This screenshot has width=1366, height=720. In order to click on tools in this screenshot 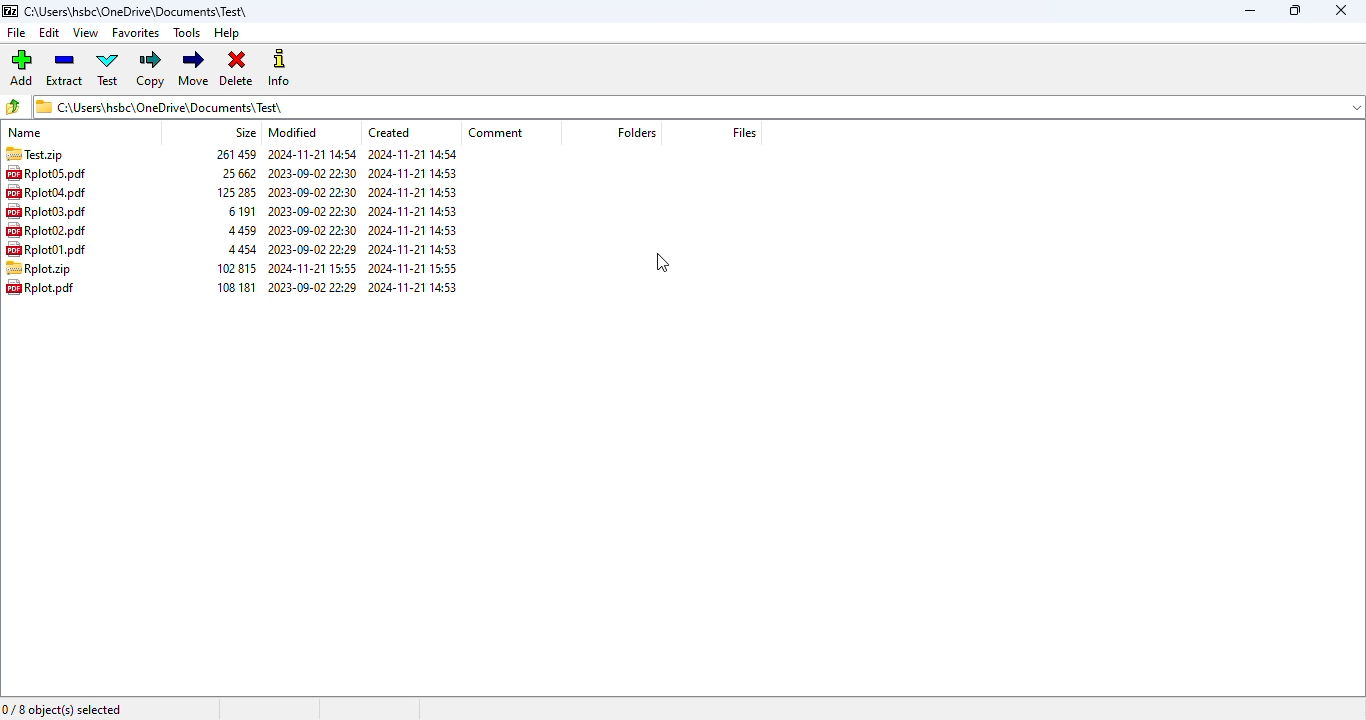, I will do `click(186, 32)`.